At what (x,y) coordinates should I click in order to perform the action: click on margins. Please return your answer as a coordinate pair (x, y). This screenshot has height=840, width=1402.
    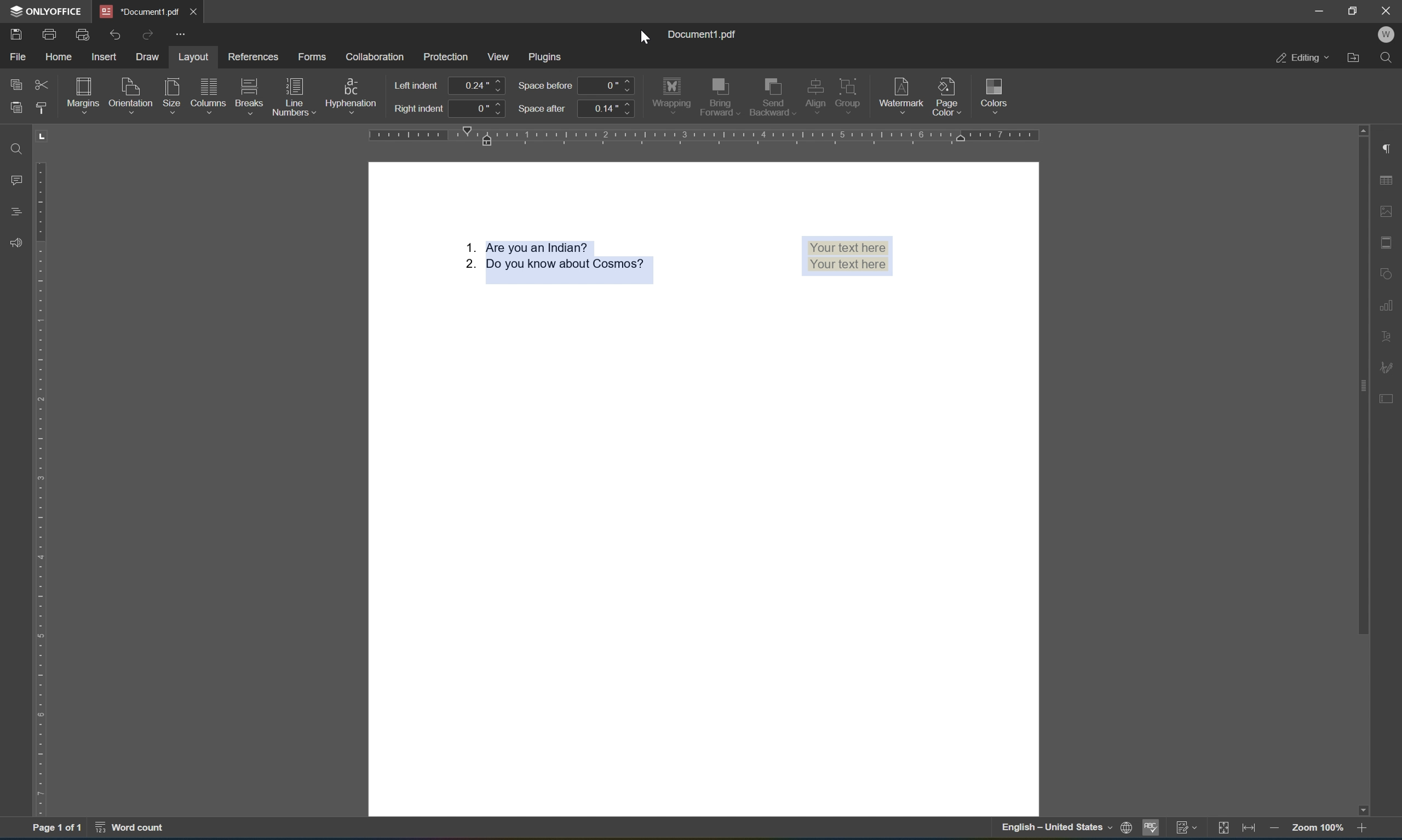
    Looking at the image, I should click on (85, 93).